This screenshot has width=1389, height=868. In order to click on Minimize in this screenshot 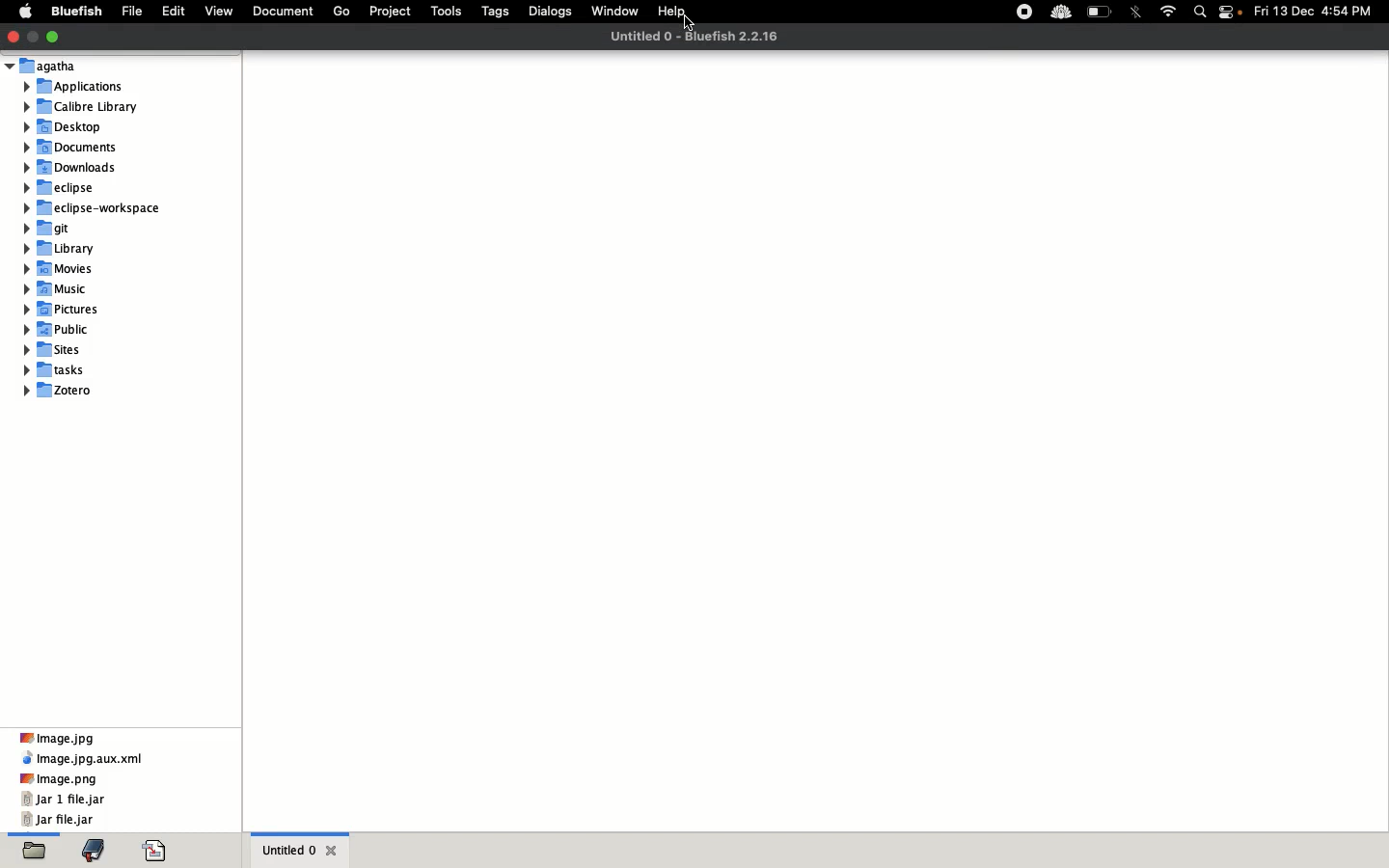, I will do `click(32, 36)`.